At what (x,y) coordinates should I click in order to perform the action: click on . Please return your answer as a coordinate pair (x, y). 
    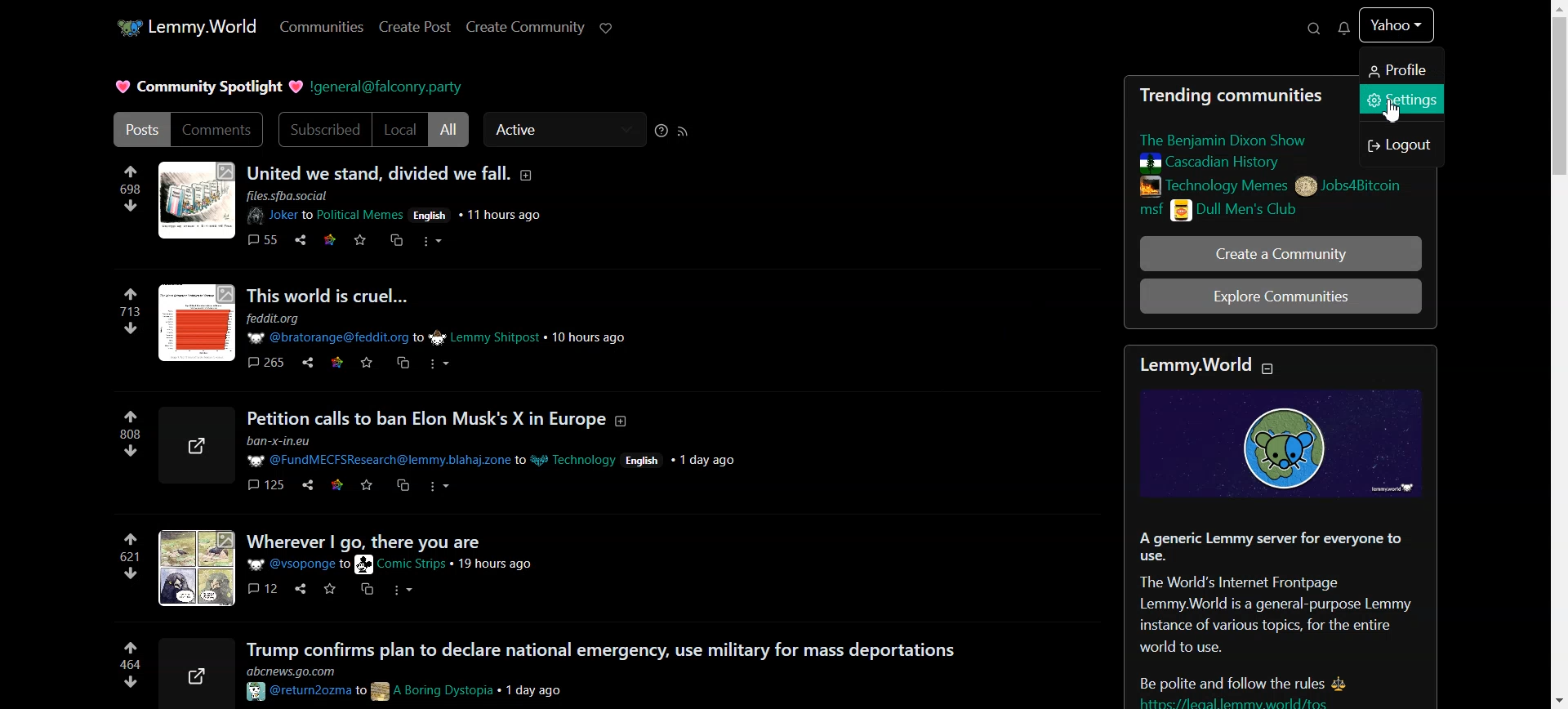
    Looking at the image, I should click on (358, 247).